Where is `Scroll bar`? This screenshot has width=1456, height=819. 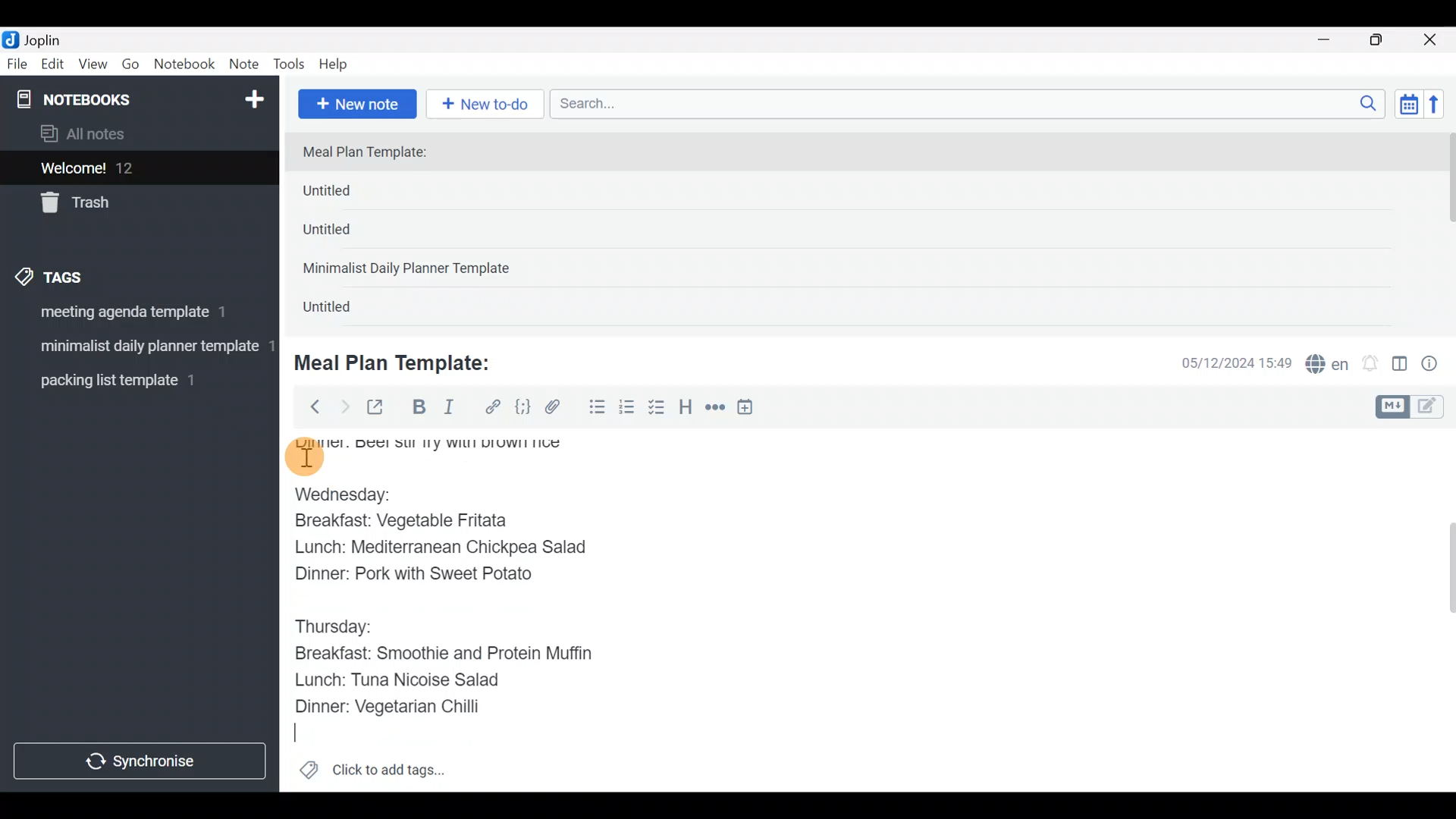 Scroll bar is located at coordinates (1440, 610).